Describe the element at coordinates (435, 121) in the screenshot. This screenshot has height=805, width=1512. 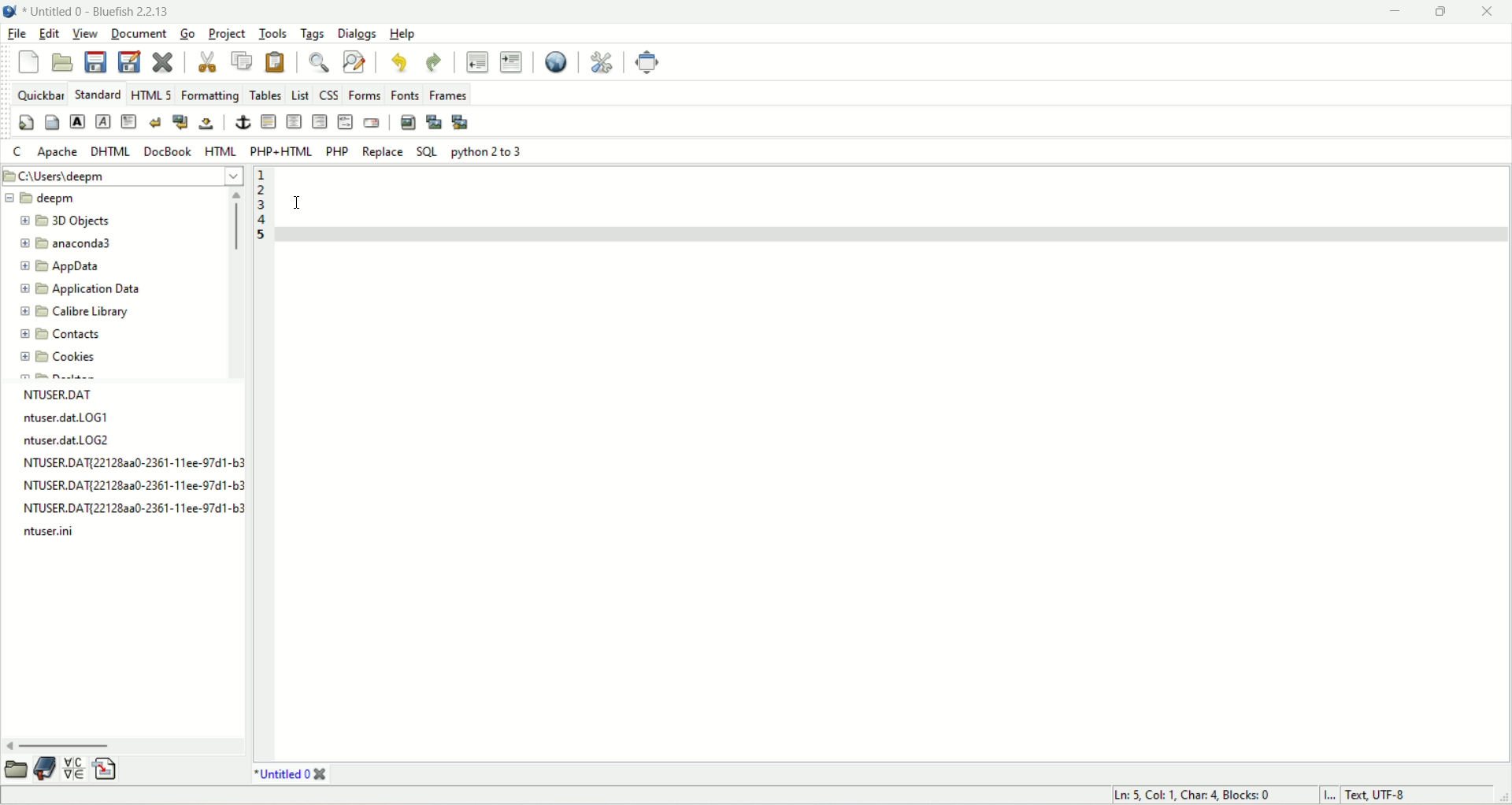
I see `insert thumbnail` at that location.